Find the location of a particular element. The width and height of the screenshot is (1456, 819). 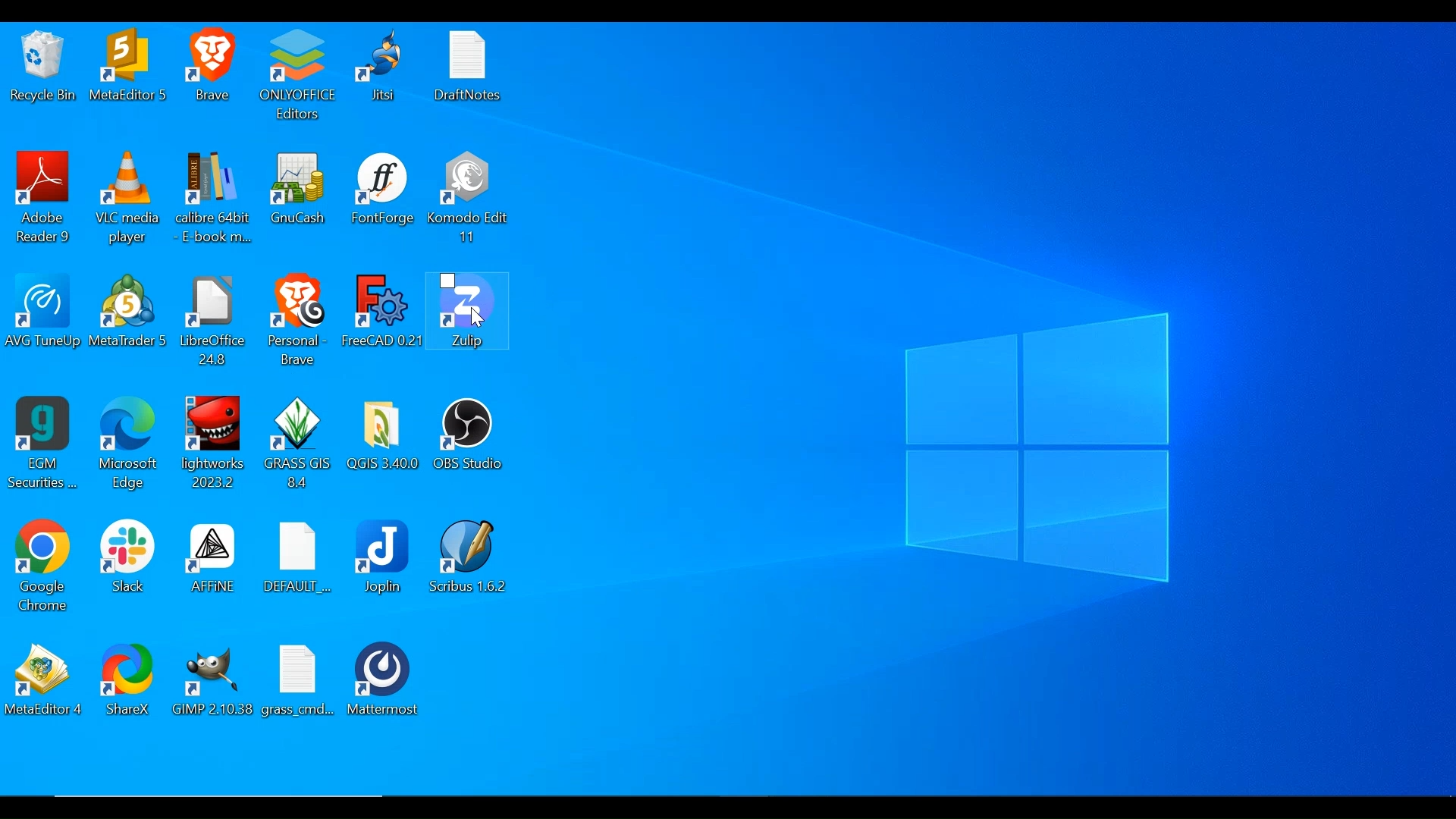

Affine Desktop Icon is located at coordinates (211, 559).